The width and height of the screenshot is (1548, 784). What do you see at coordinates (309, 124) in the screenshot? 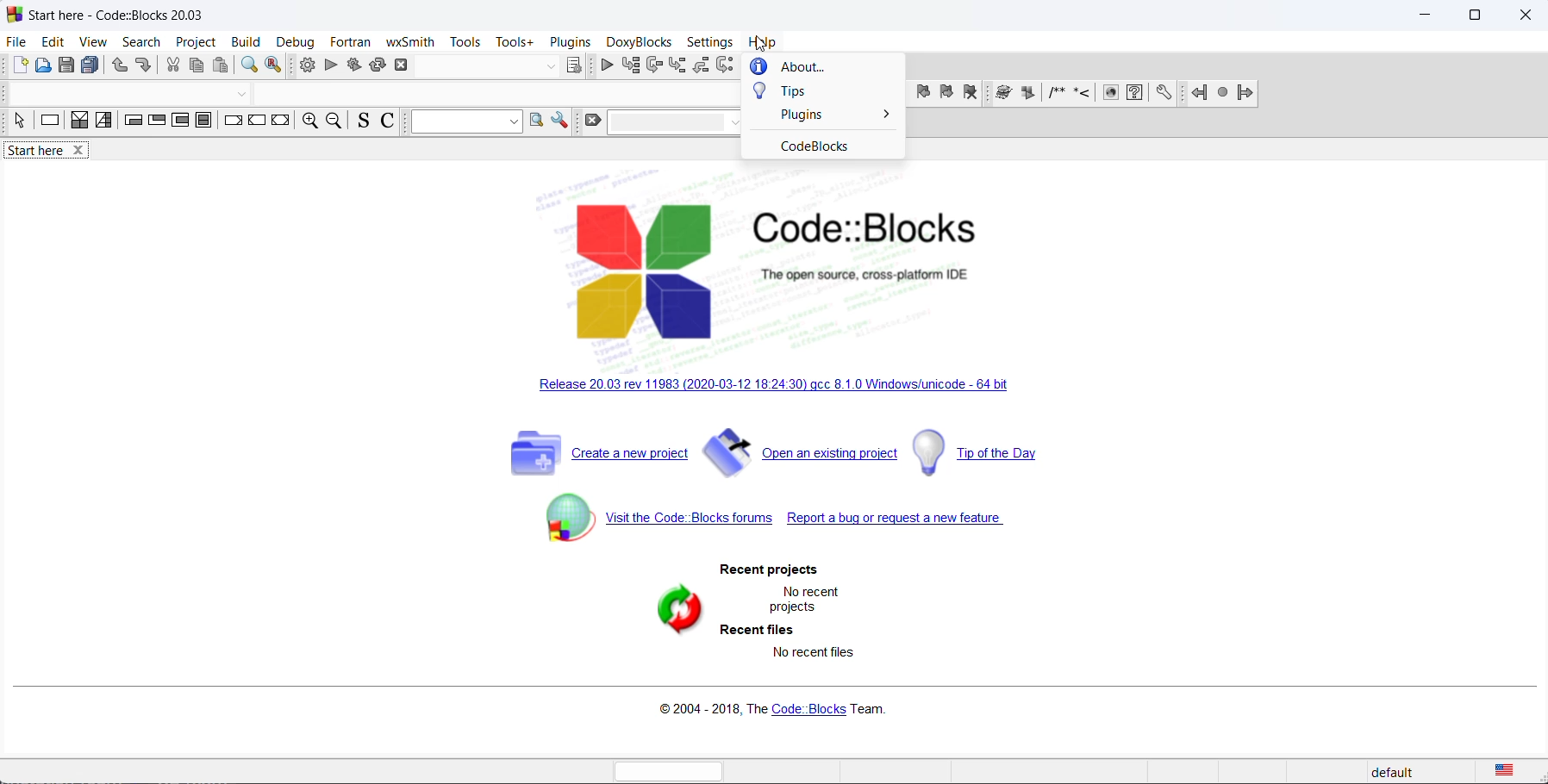
I see `zoom in` at bounding box center [309, 124].